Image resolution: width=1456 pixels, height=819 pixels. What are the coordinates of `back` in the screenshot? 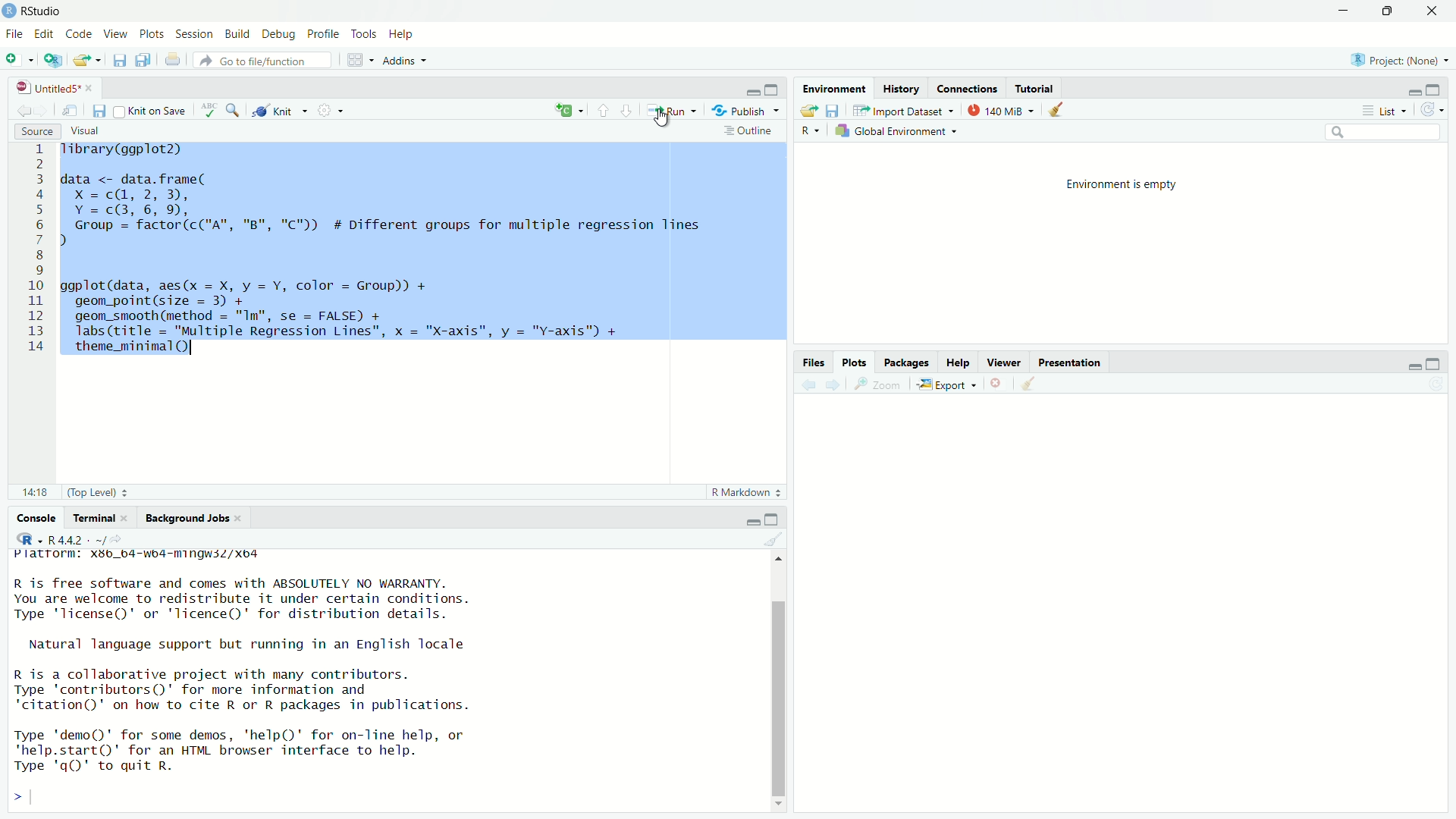 It's located at (20, 111).